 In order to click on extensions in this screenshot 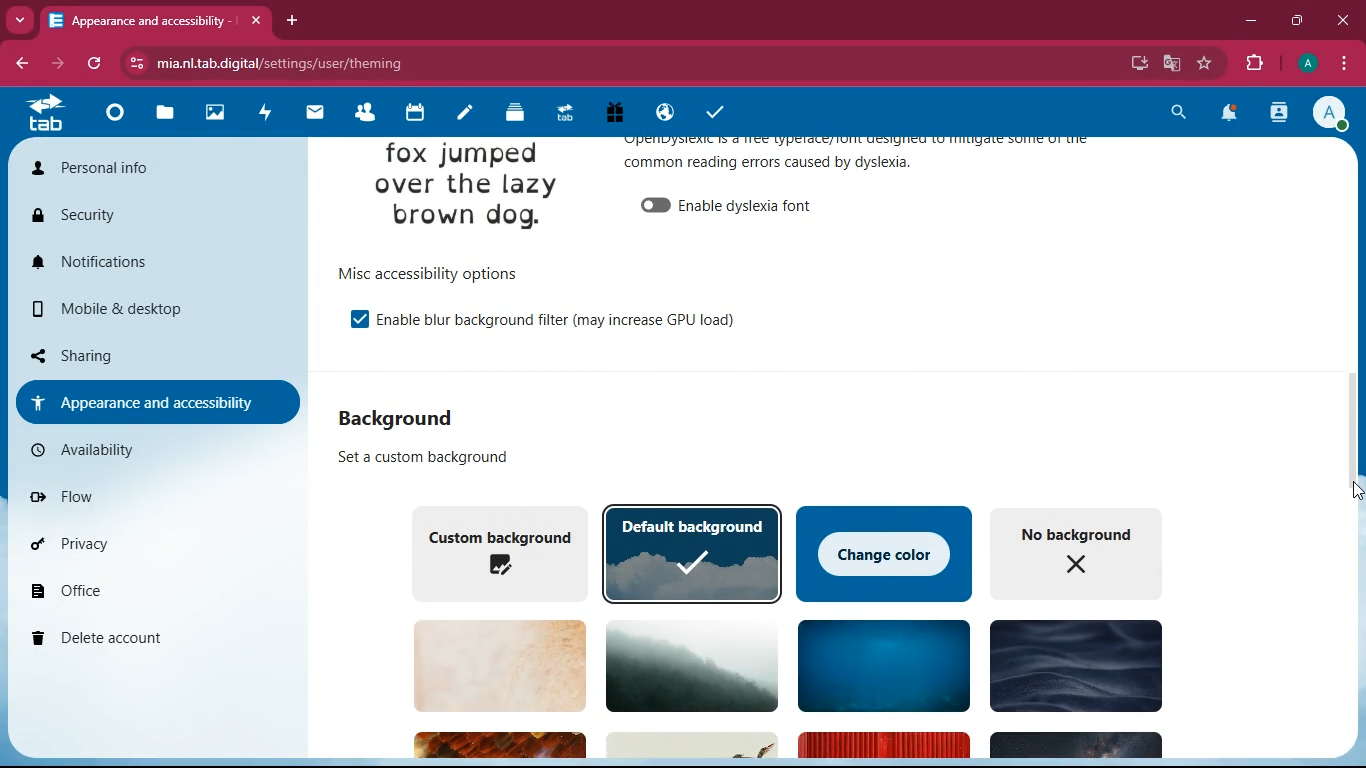, I will do `click(1253, 64)`.